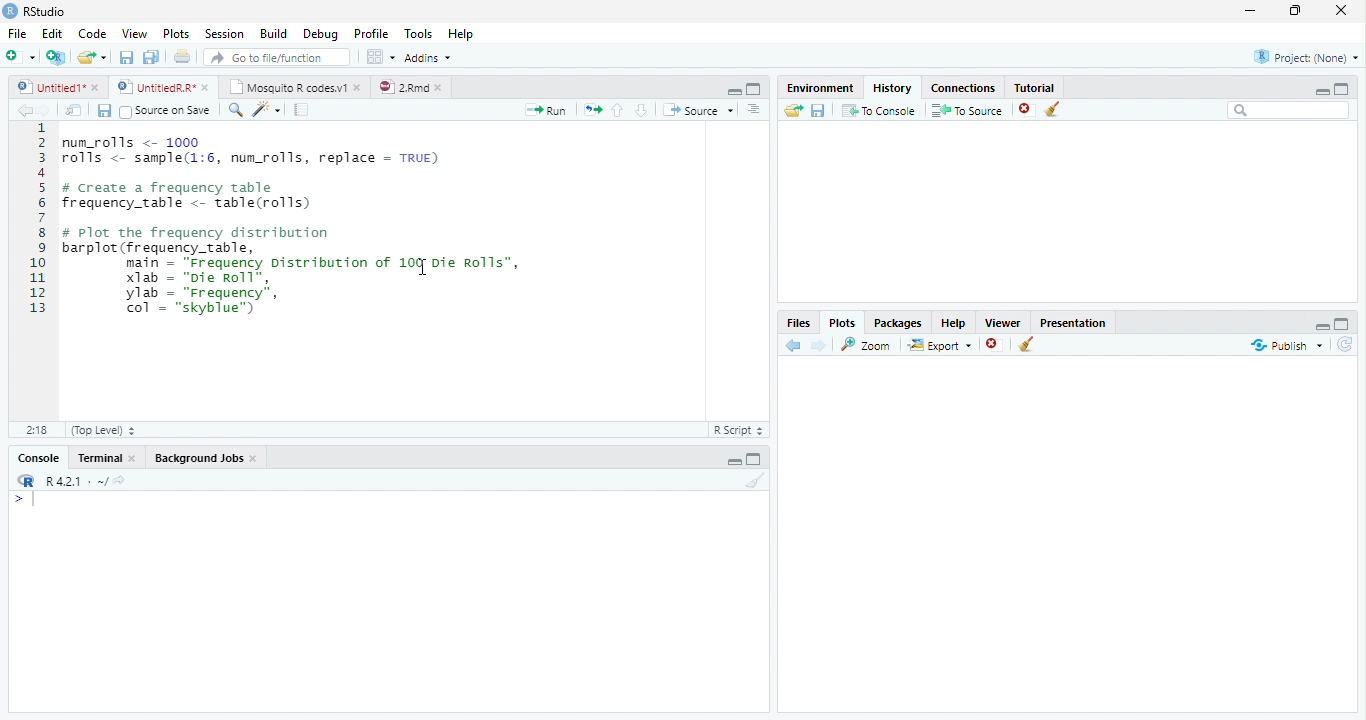 The image size is (1366, 720). Describe the element at coordinates (207, 456) in the screenshot. I see `Background Jobs` at that location.